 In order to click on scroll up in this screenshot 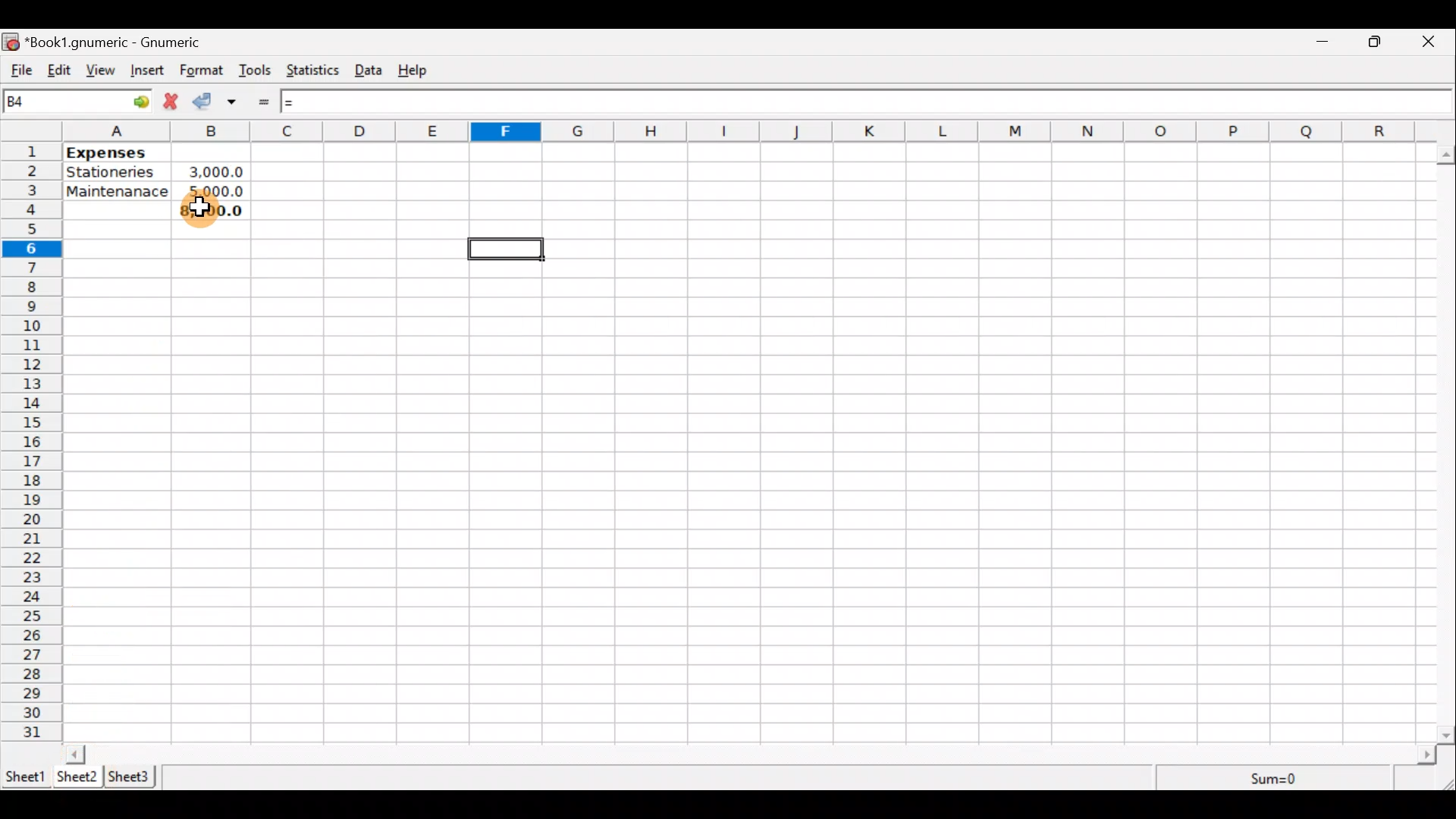, I will do `click(1447, 155)`.